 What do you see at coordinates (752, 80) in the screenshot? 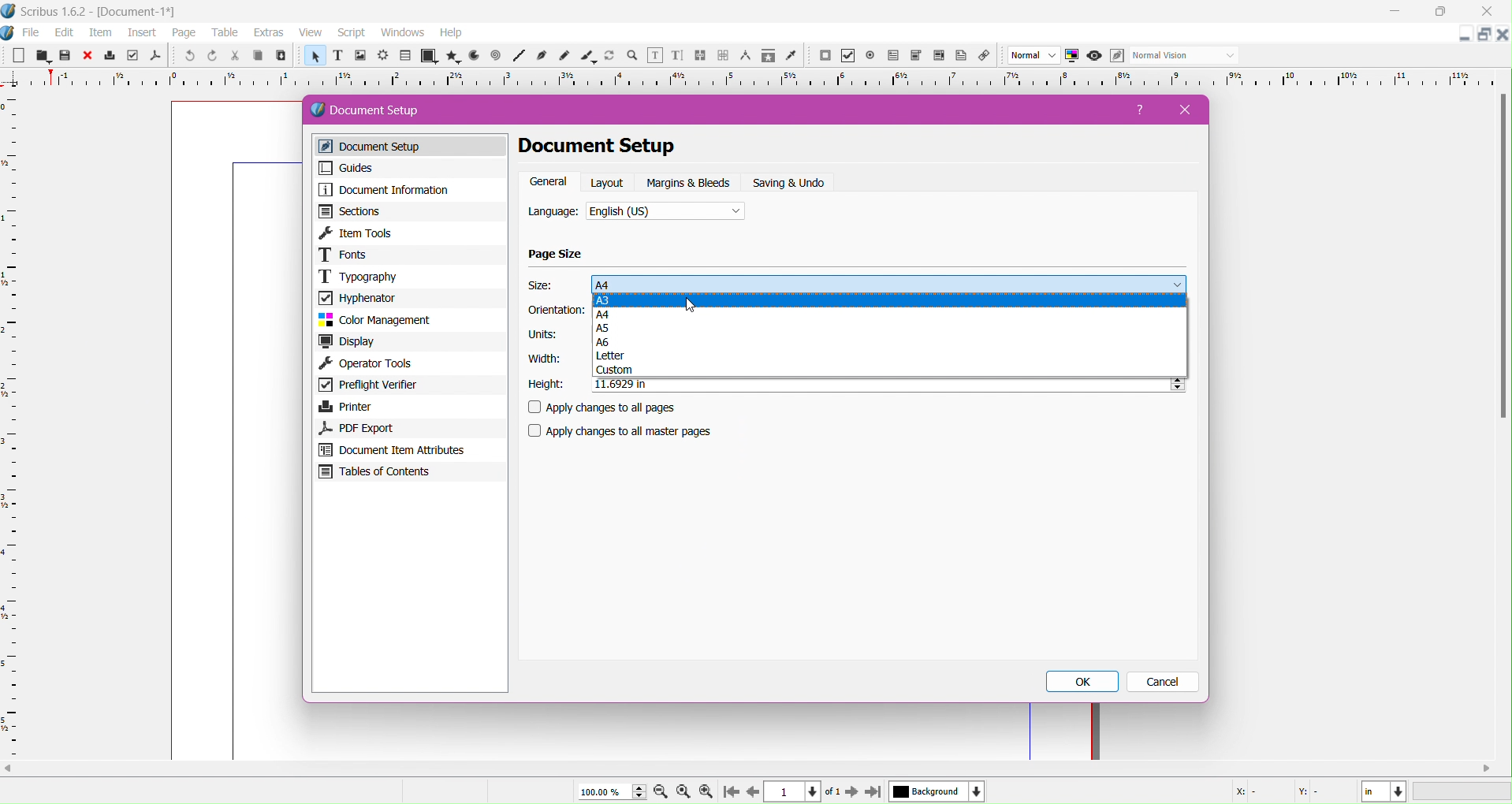
I see `measuring scale` at bounding box center [752, 80].